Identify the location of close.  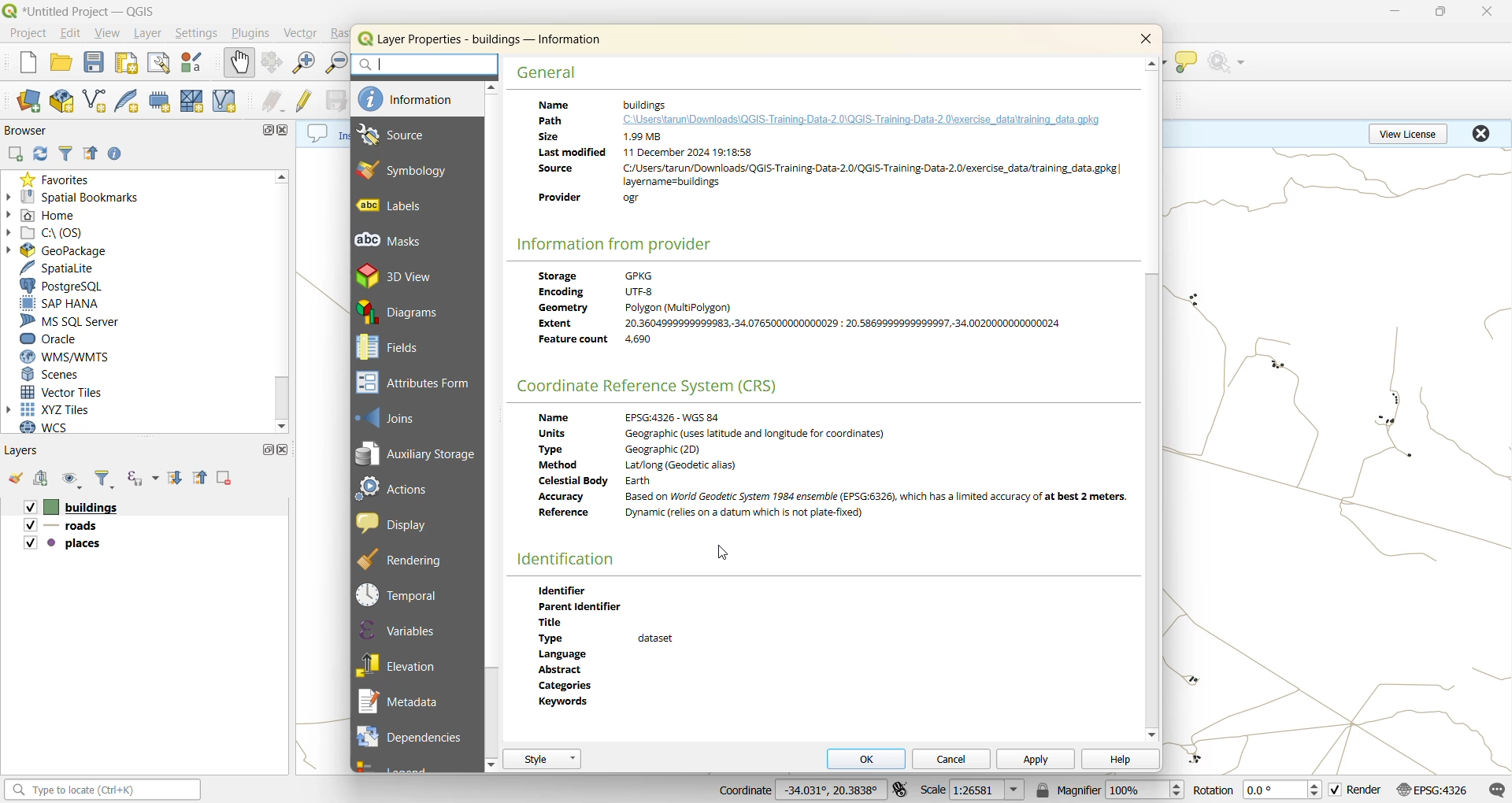
(1484, 132).